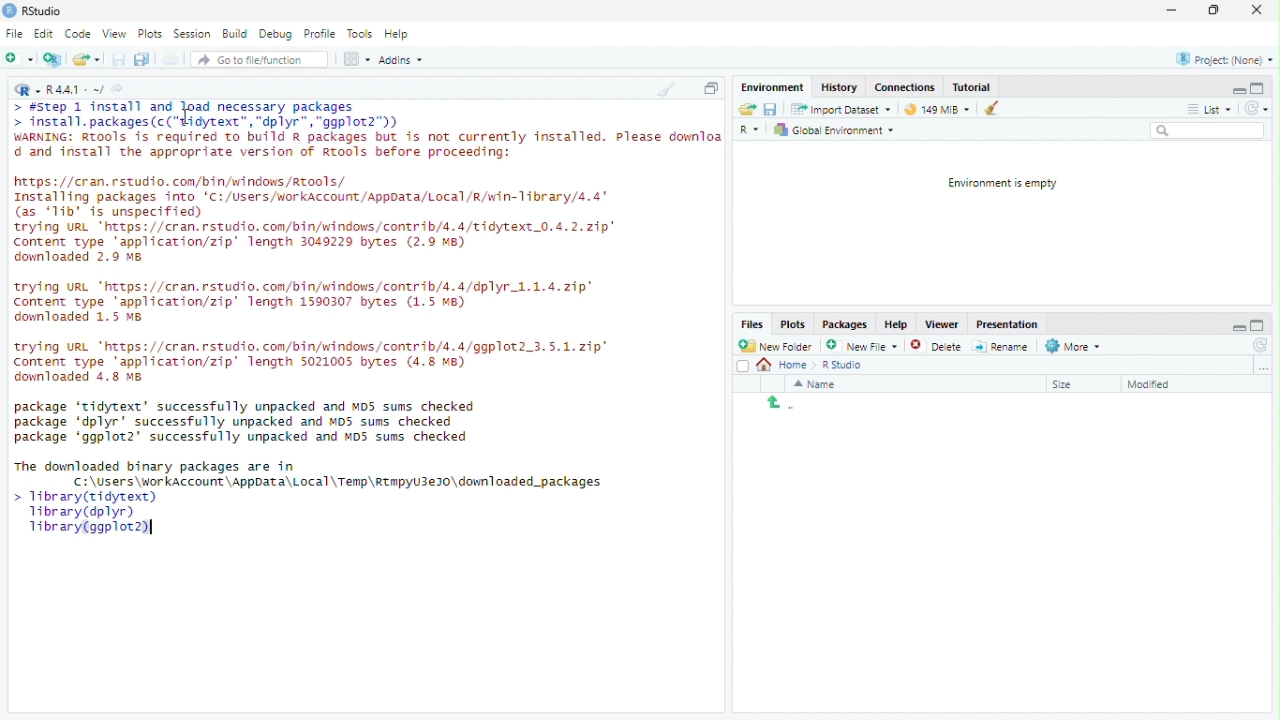 This screenshot has width=1280, height=720. I want to click on Build, so click(234, 32).